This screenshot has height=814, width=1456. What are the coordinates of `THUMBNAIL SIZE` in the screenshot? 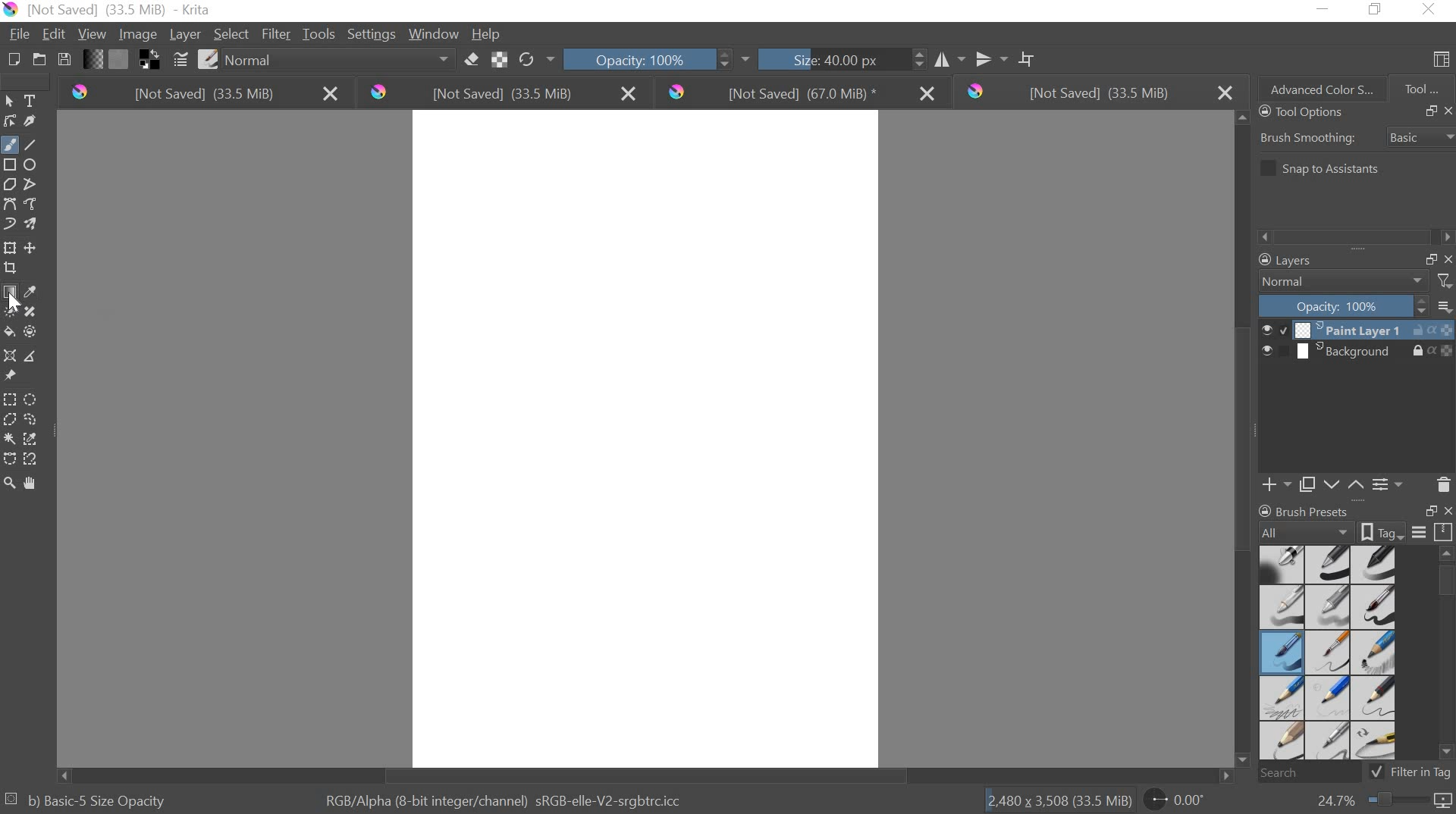 It's located at (1446, 305).